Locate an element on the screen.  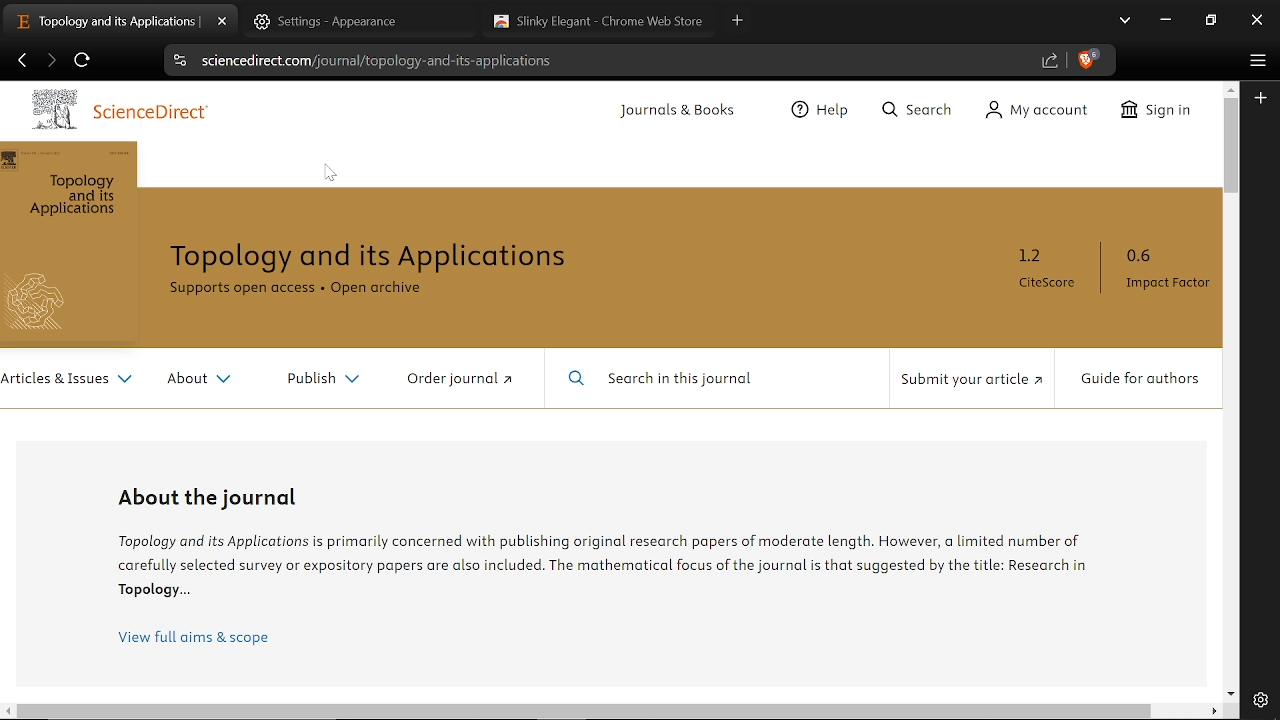
Topology and its Applications is located at coordinates (73, 197).